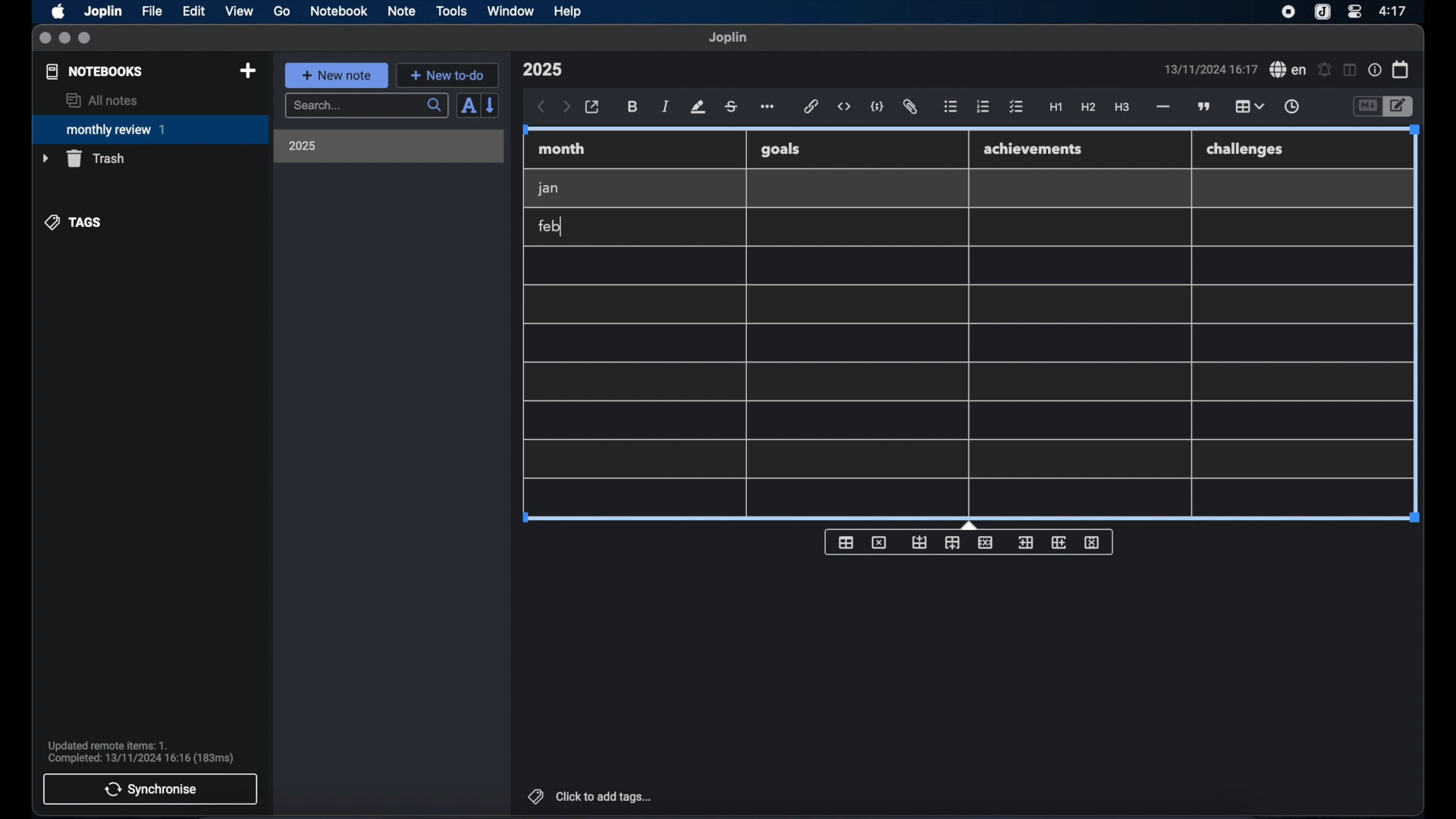 This screenshot has width=1456, height=819. I want to click on toggle editor, so click(1401, 107).